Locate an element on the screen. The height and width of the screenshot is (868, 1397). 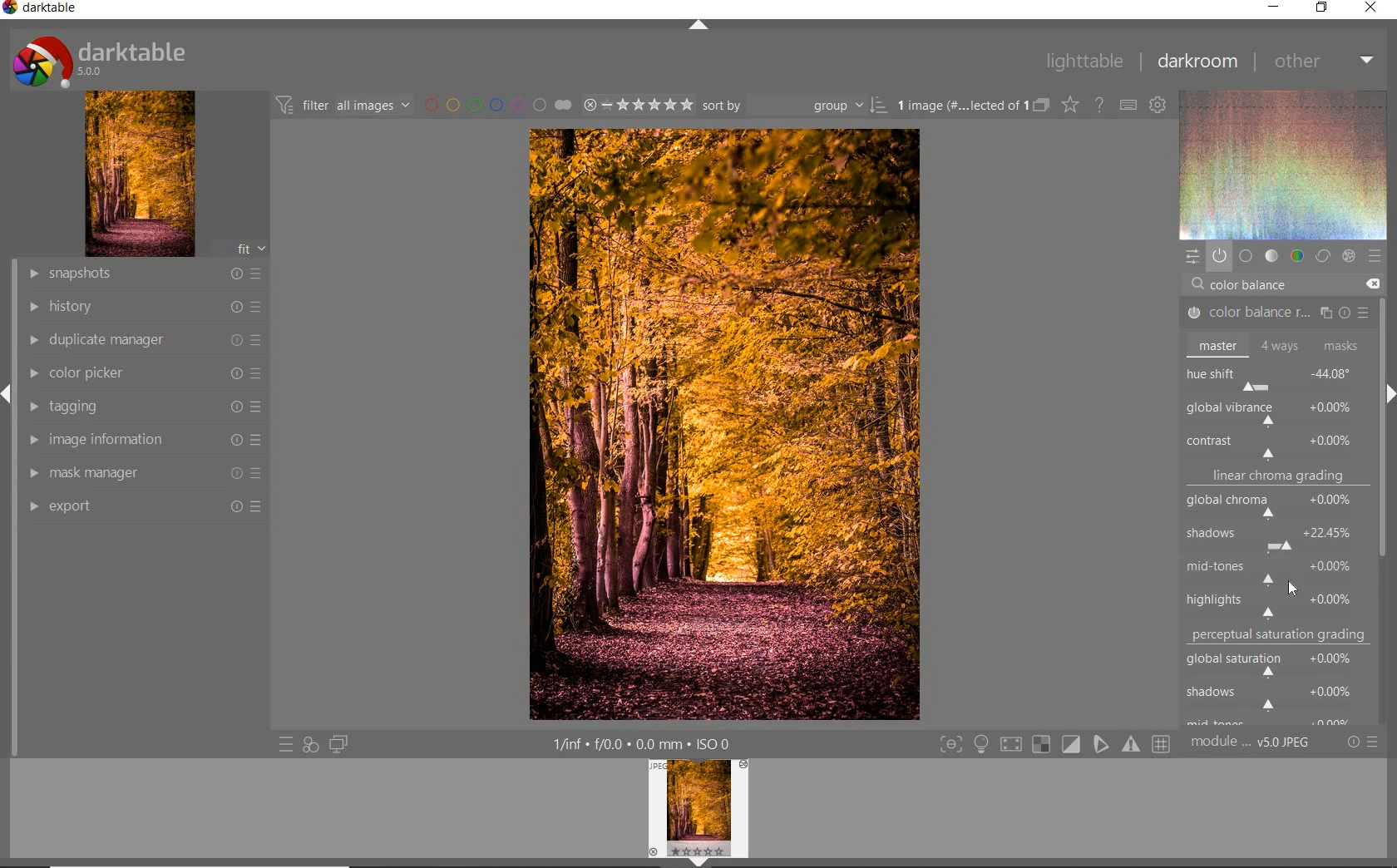
perceptual saturation grading is located at coordinates (1281, 635).